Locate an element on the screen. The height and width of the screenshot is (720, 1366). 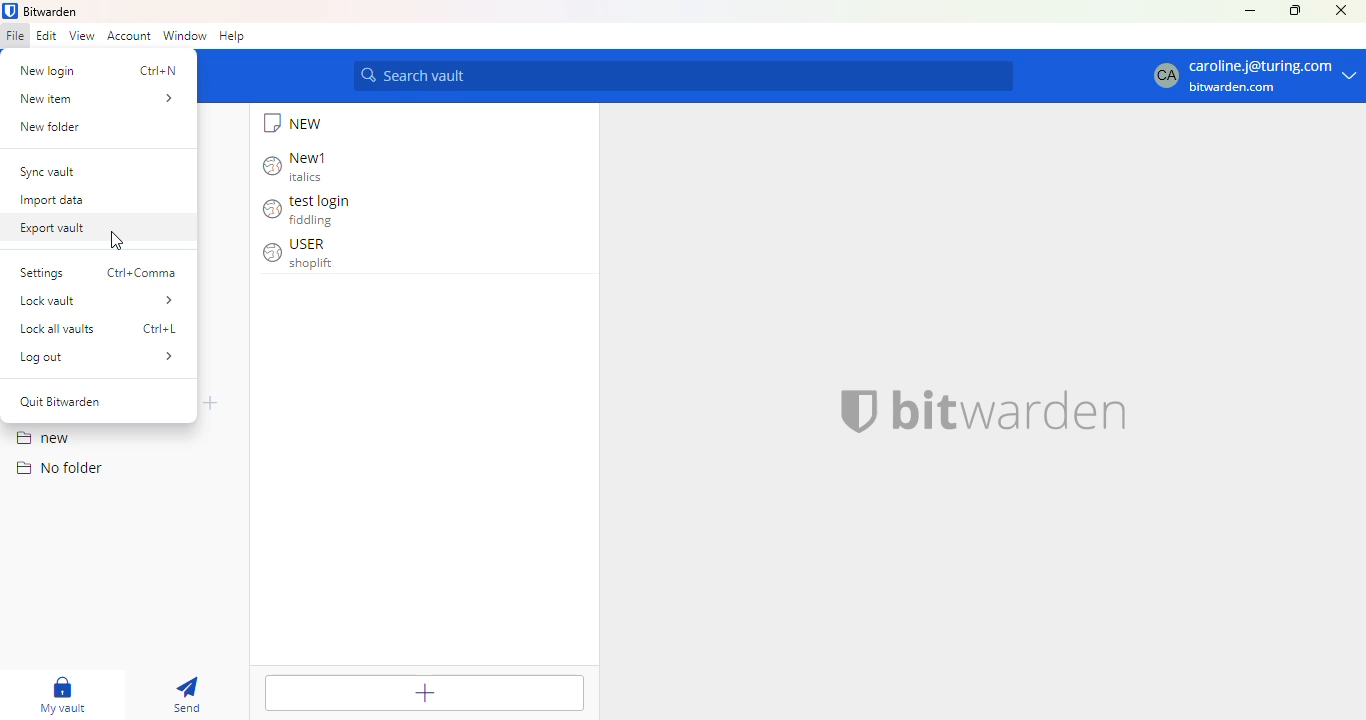
CA Caroline.j@turing.com is located at coordinates (1256, 77).